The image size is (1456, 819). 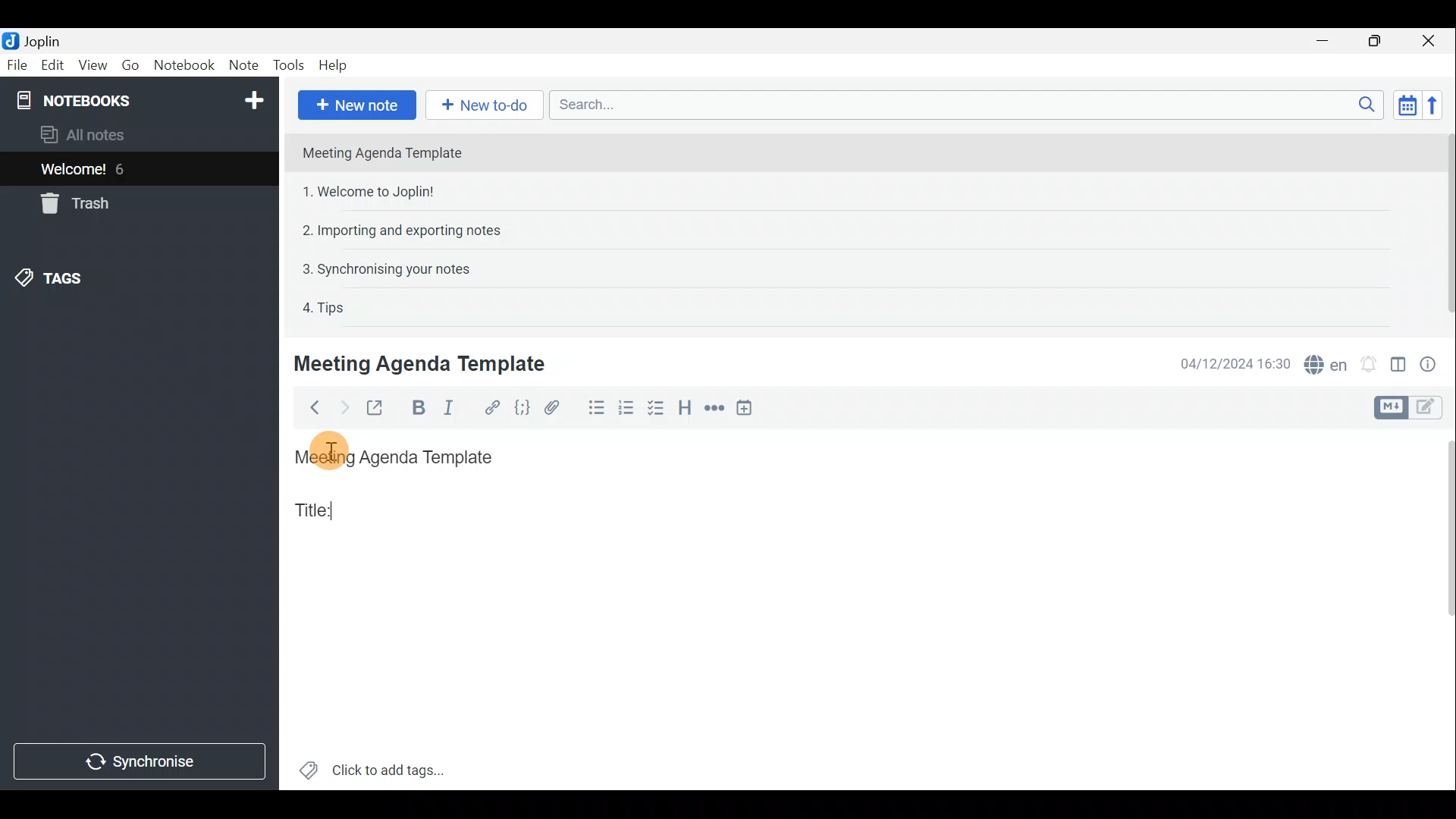 What do you see at coordinates (284, 63) in the screenshot?
I see `Tools` at bounding box center [284, 63].